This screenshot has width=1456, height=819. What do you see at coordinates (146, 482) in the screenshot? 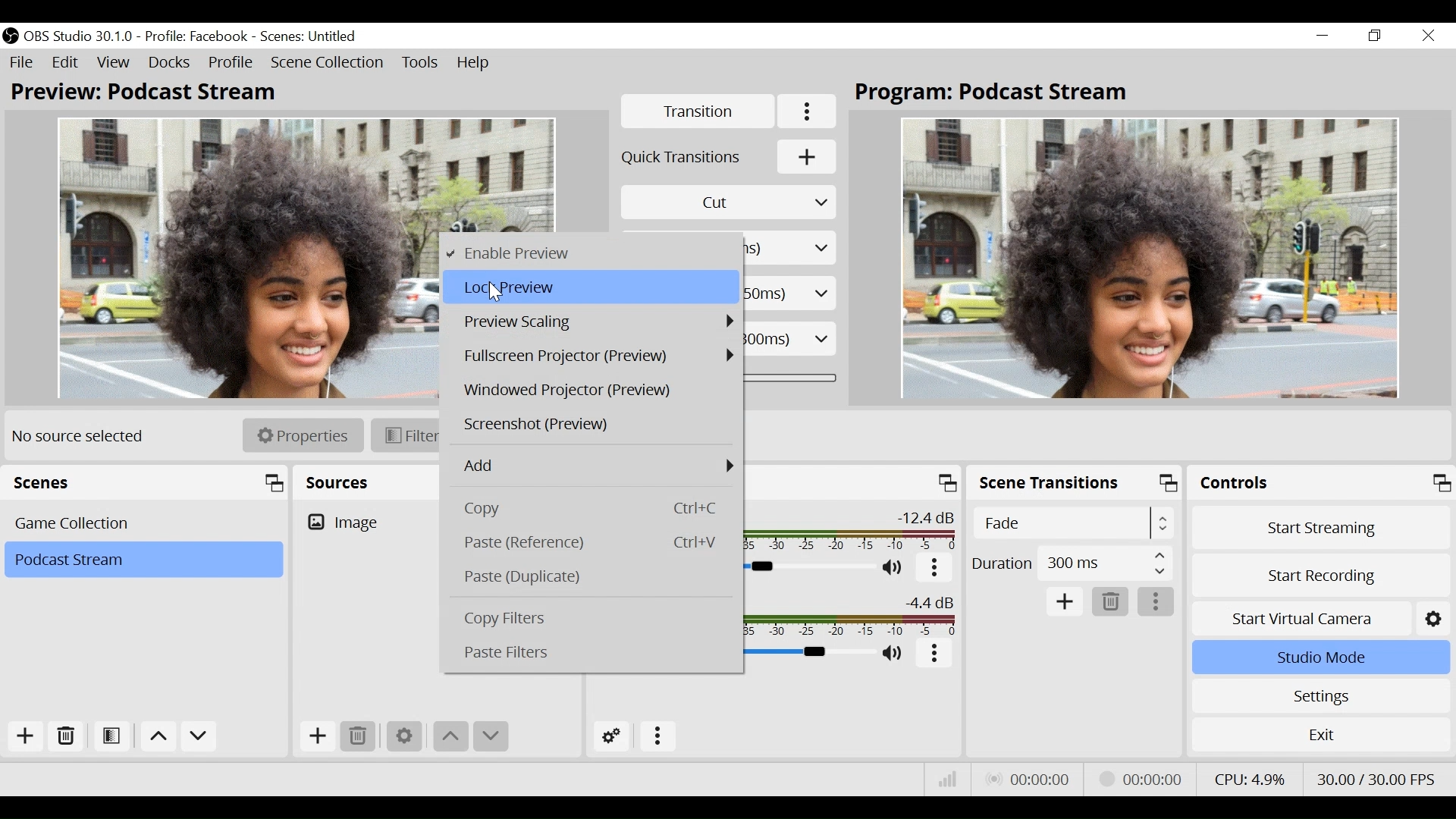
I see `Scenes` at bounding box center [146, 482].